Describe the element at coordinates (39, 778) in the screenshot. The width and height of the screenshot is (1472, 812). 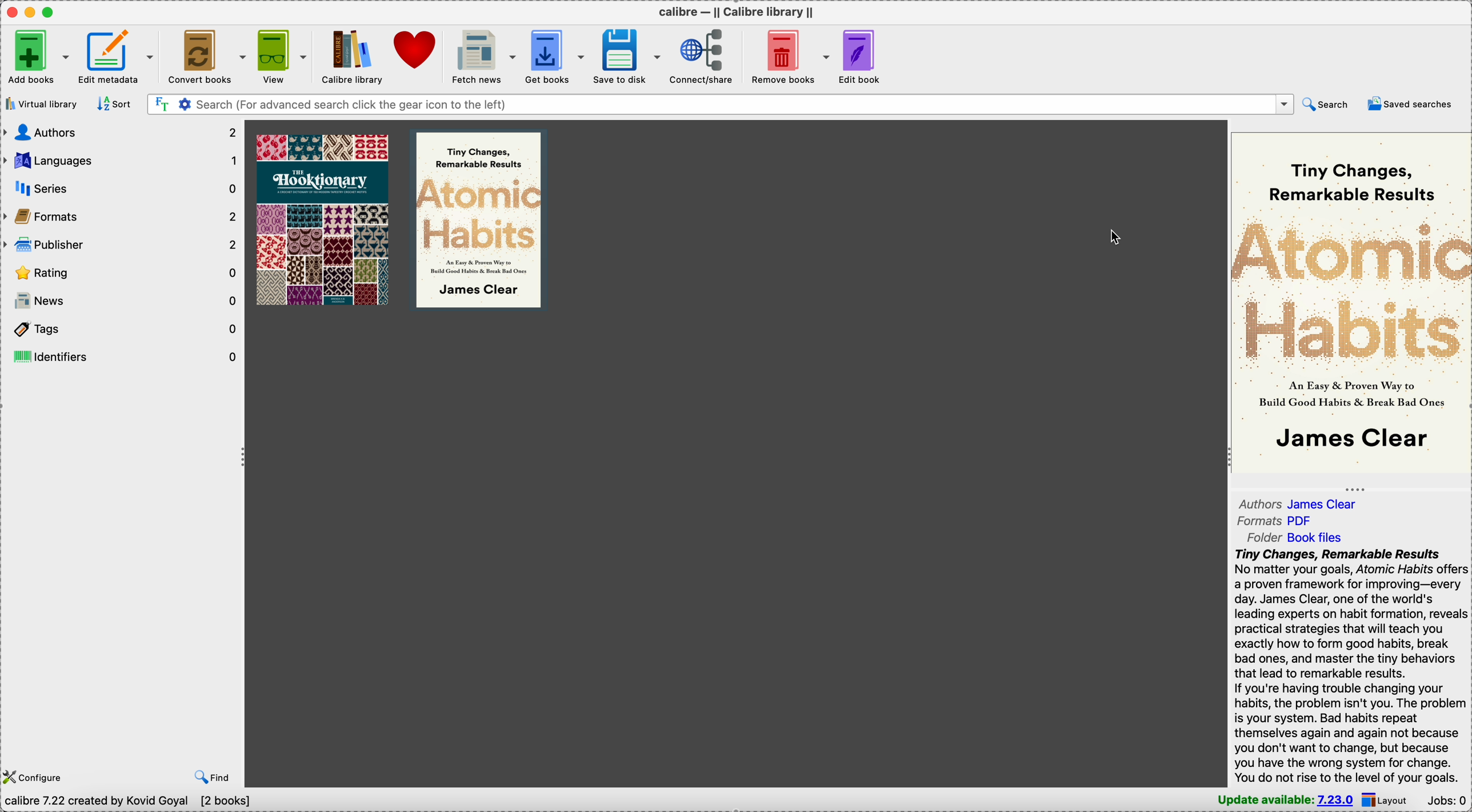
I see `configure` at that location.